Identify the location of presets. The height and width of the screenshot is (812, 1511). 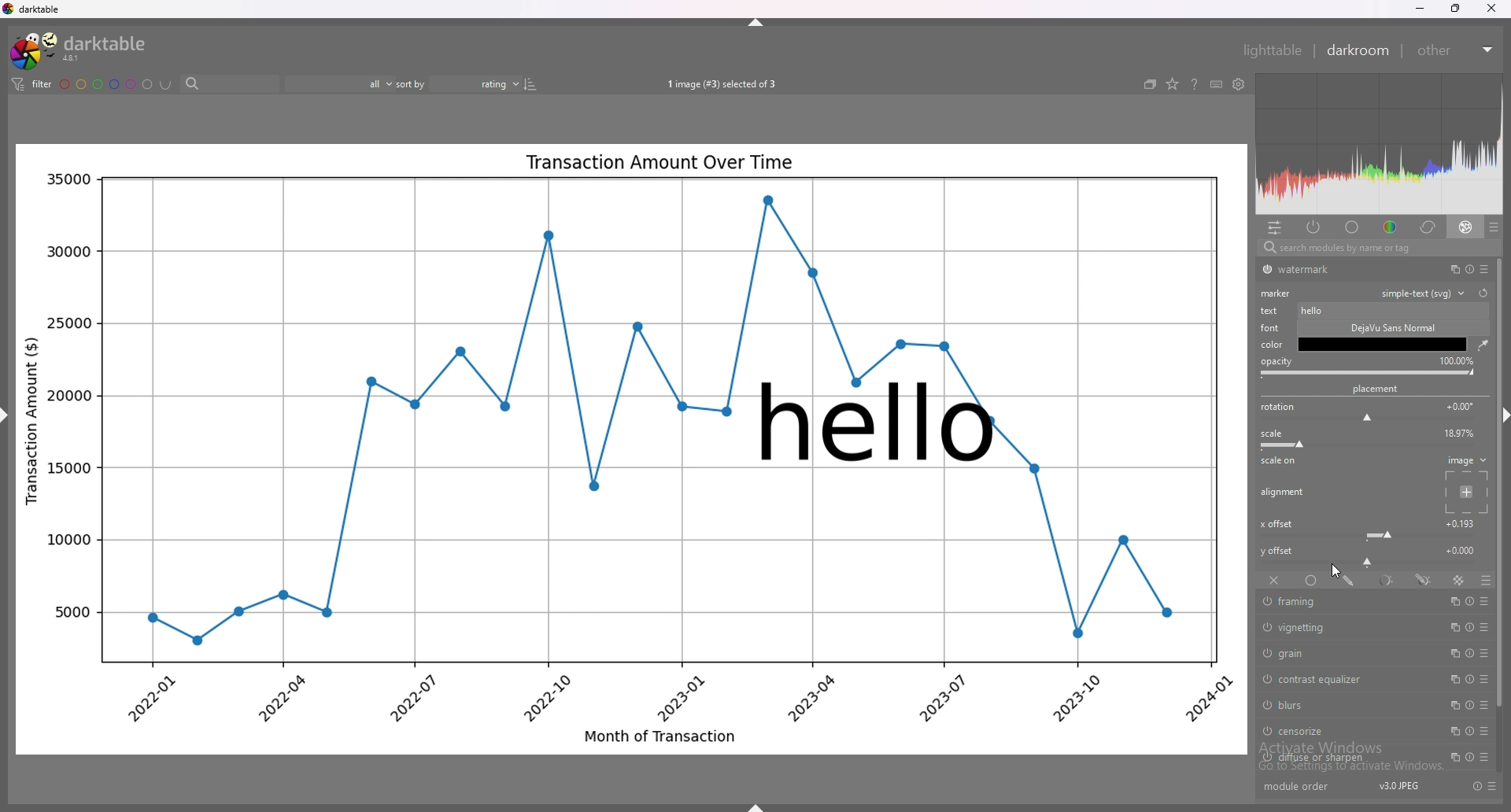
(1485, 654).